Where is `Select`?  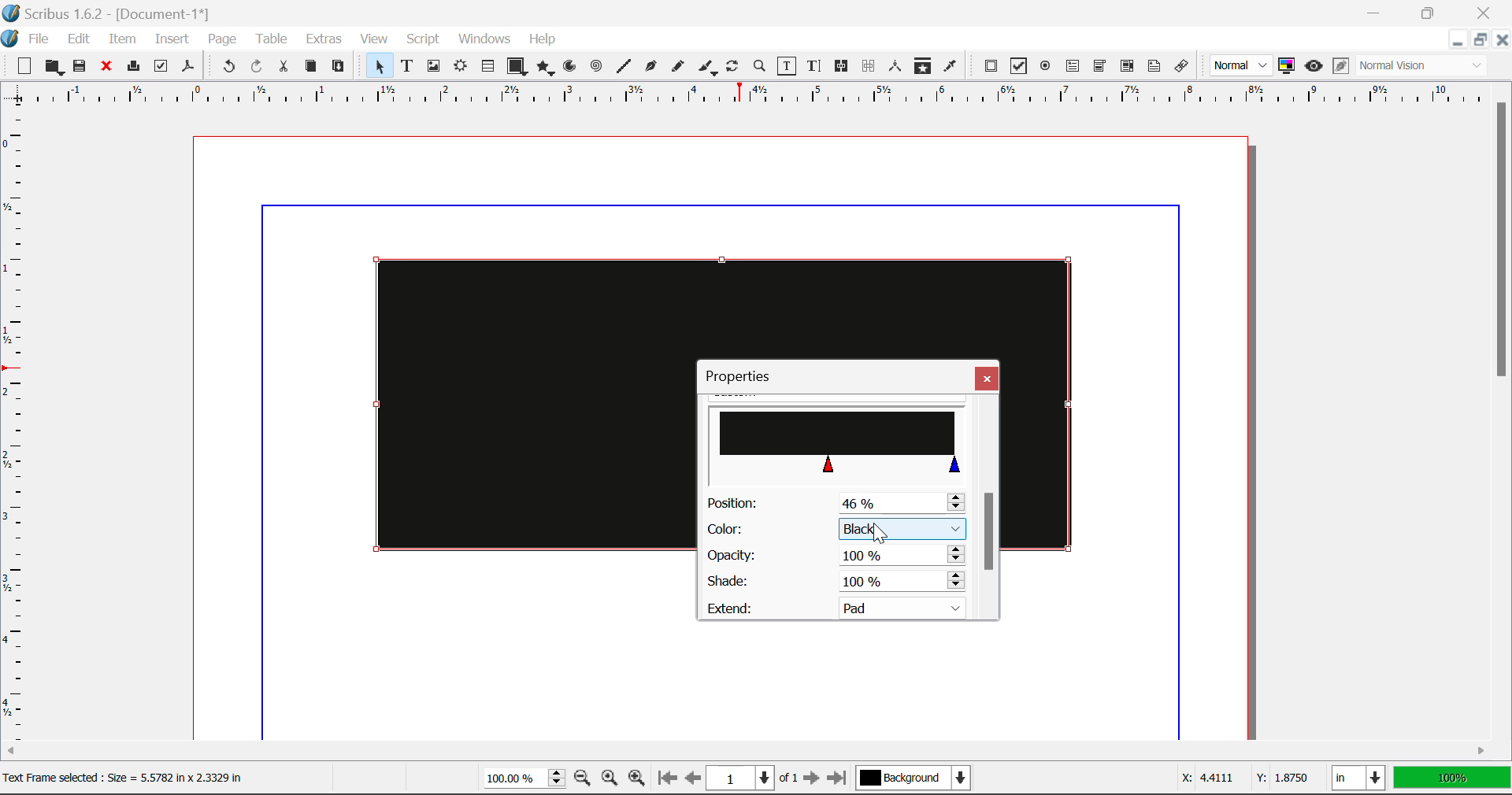
Select is located at coordinates (378, 66).